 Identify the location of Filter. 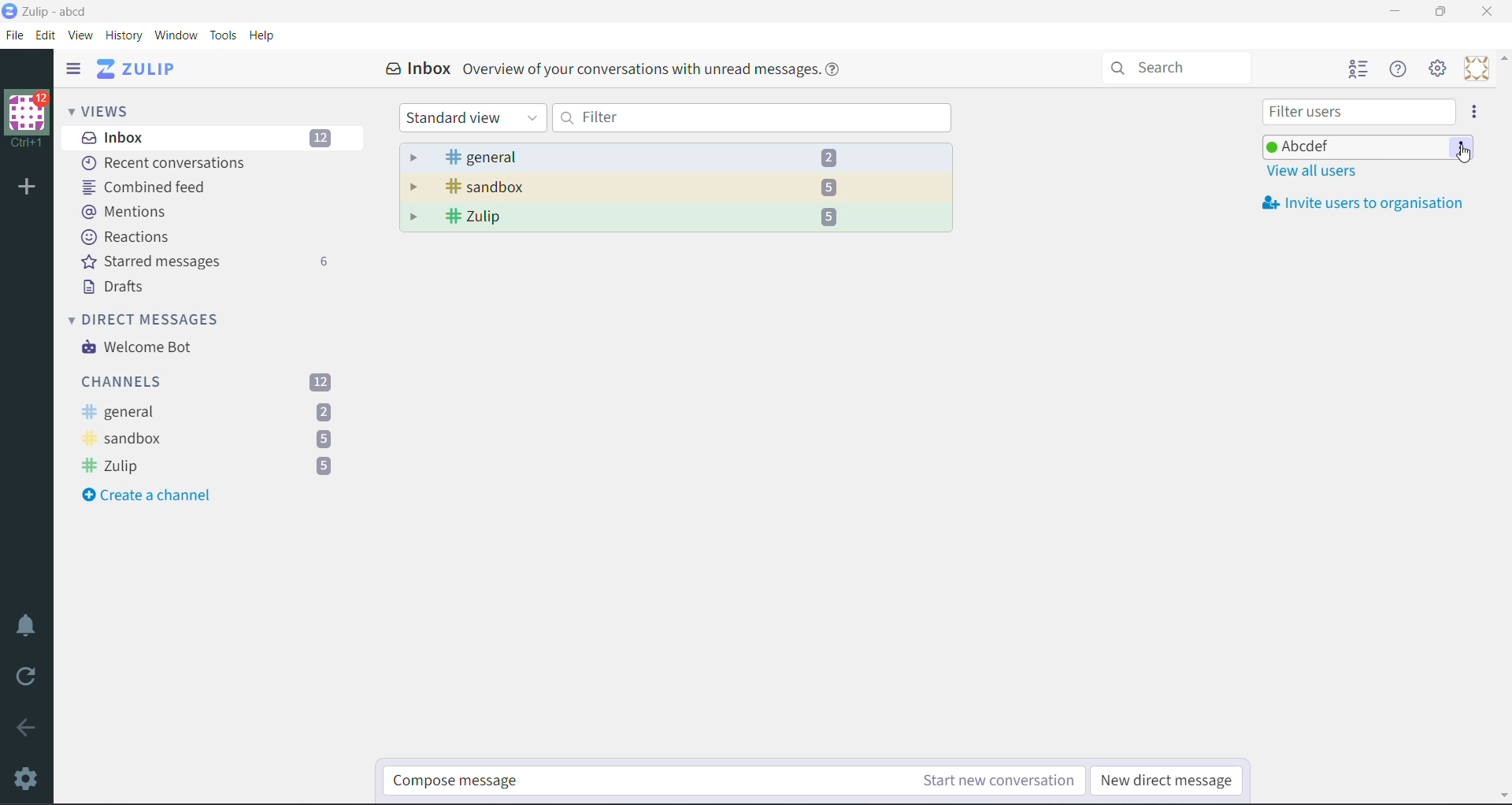
(754, 117).